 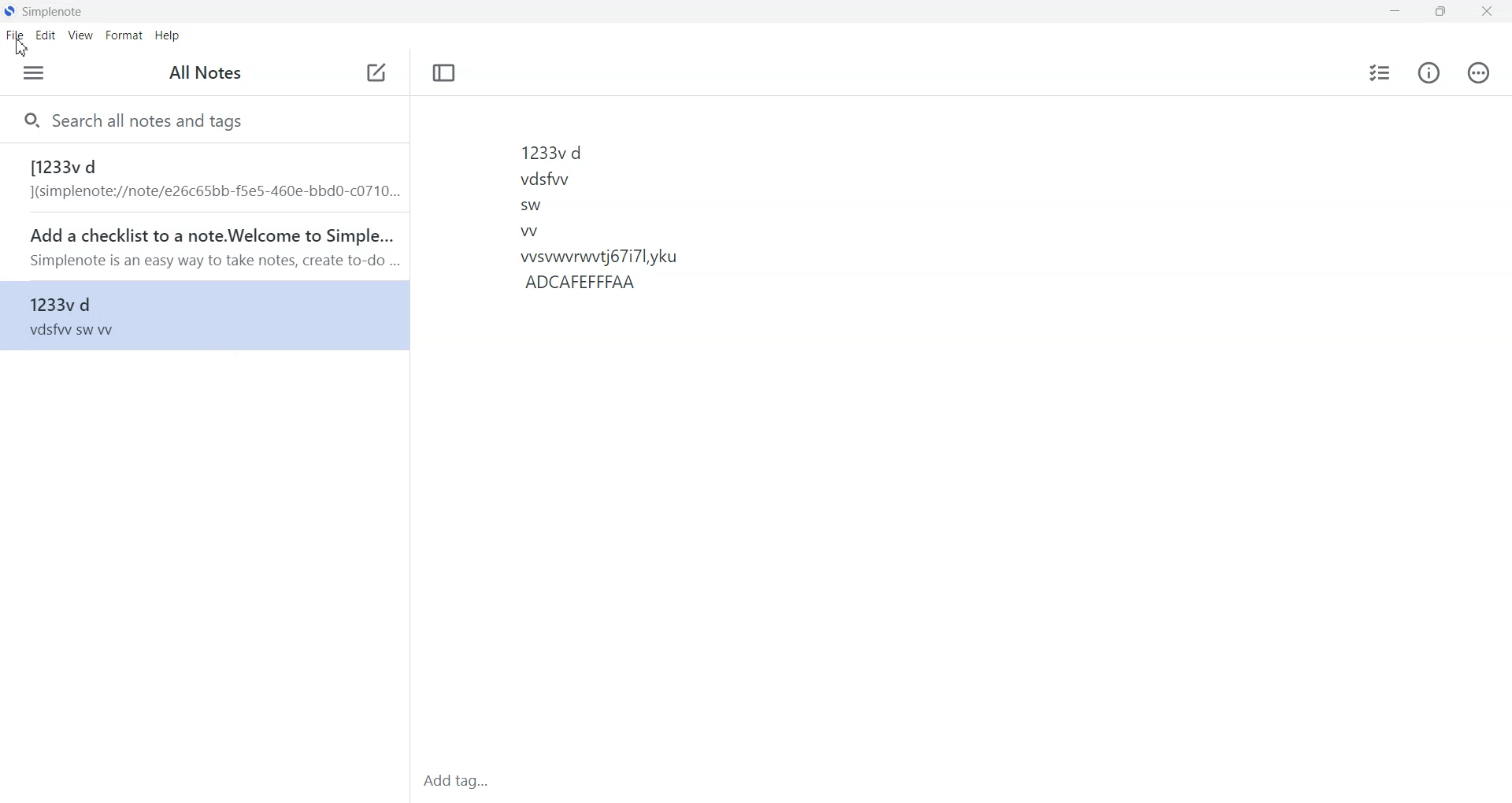 I want to click on Edit, so click(x=45, y=35).